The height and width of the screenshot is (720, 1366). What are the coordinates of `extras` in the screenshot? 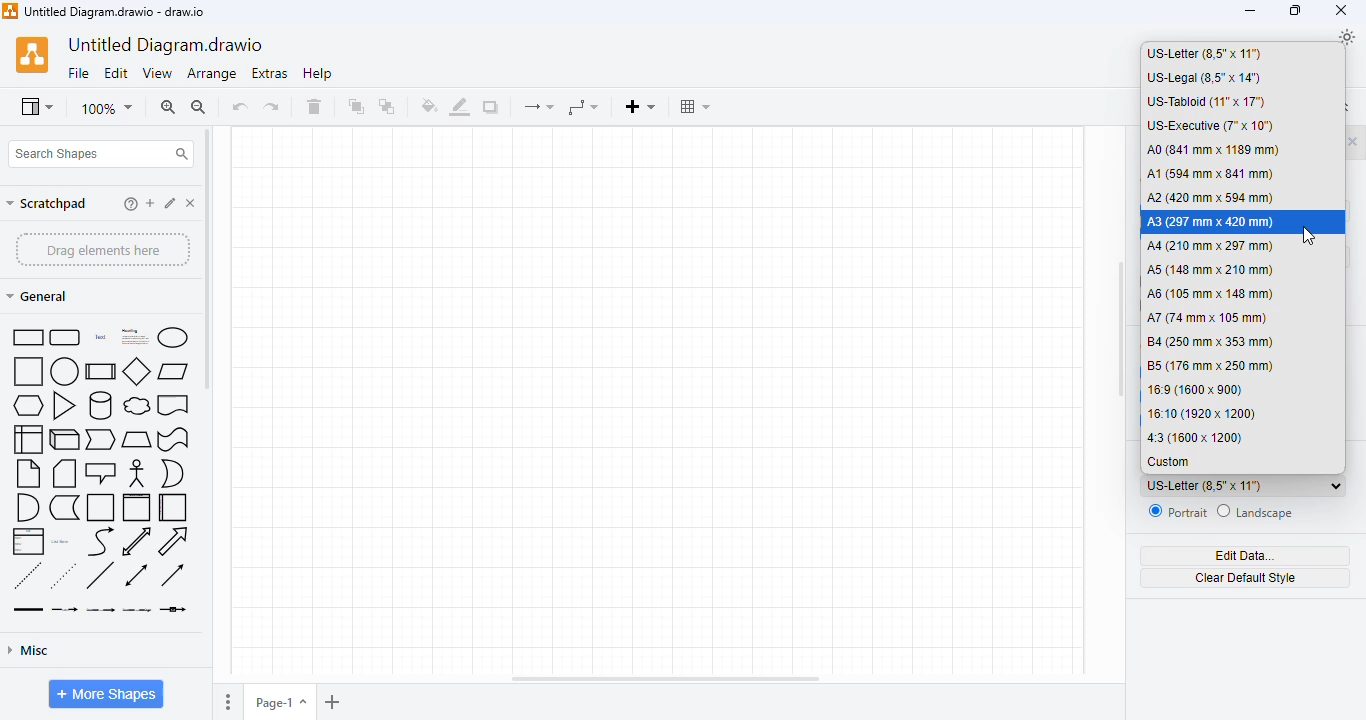 It's located at (270, 74).